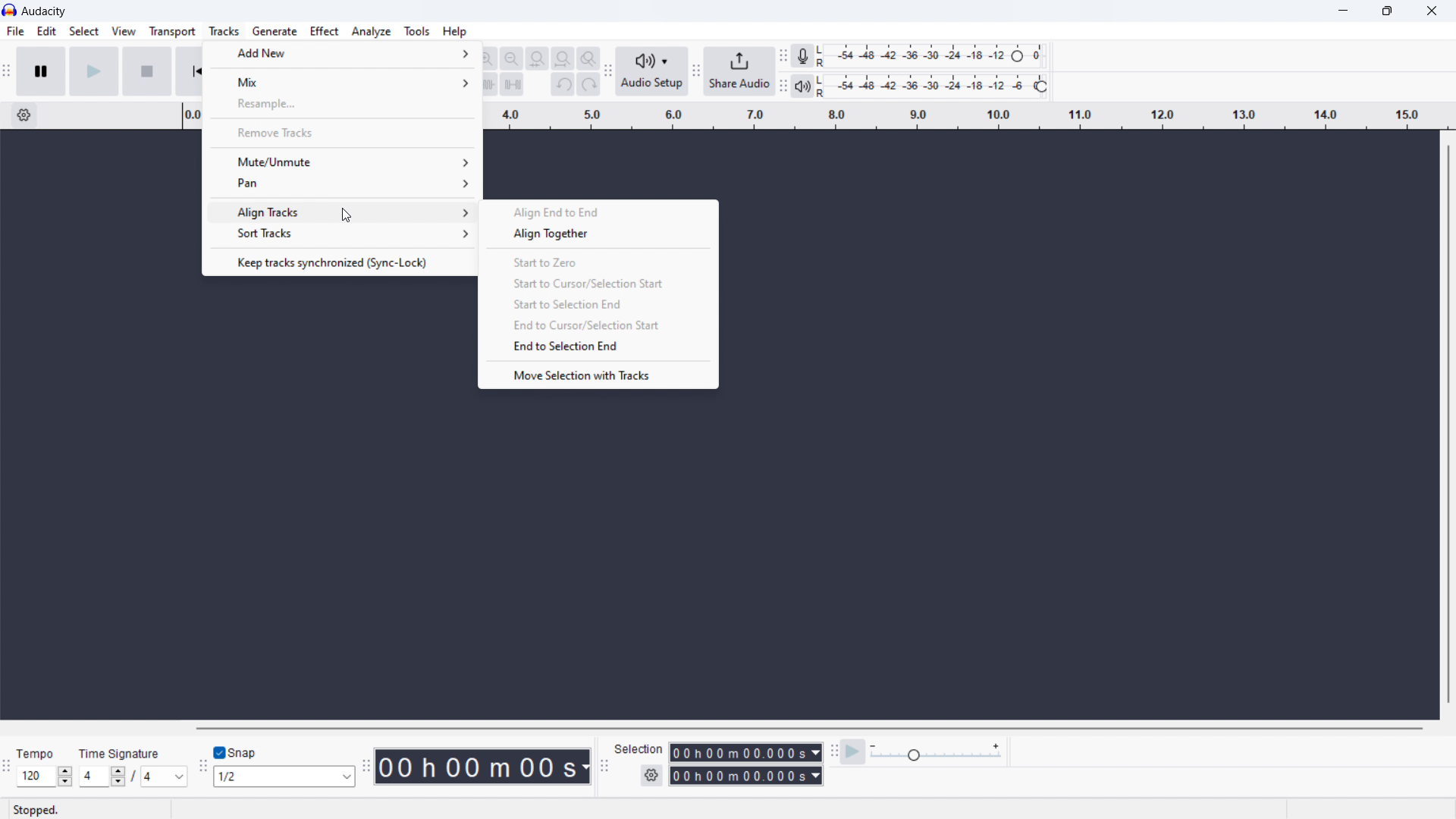 The width and height of the screenshot is (1456, 819). I want to click on pause, so click(40, 71).